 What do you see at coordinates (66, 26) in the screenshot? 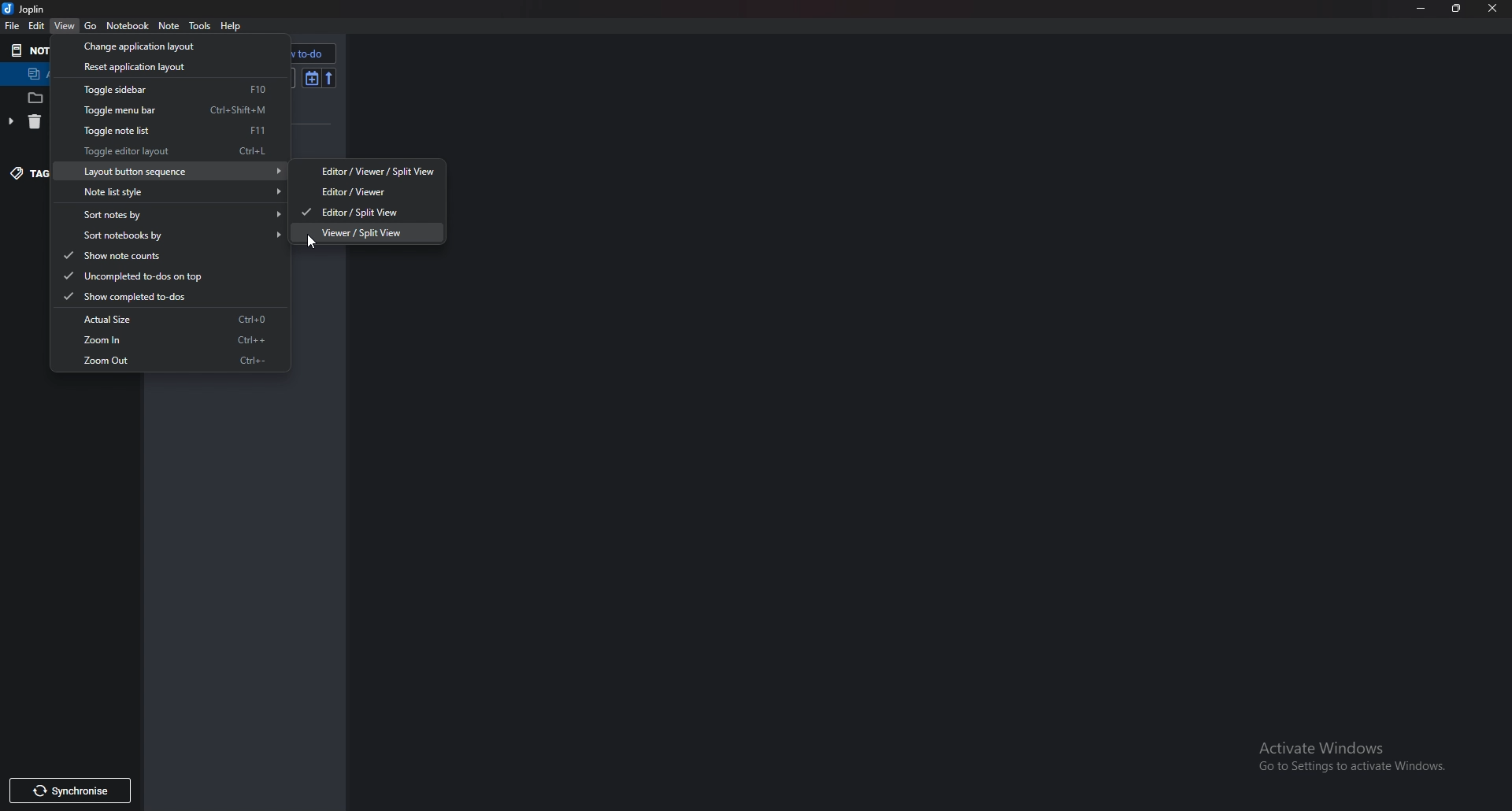
I see `view` at bounding box center [66, 26].